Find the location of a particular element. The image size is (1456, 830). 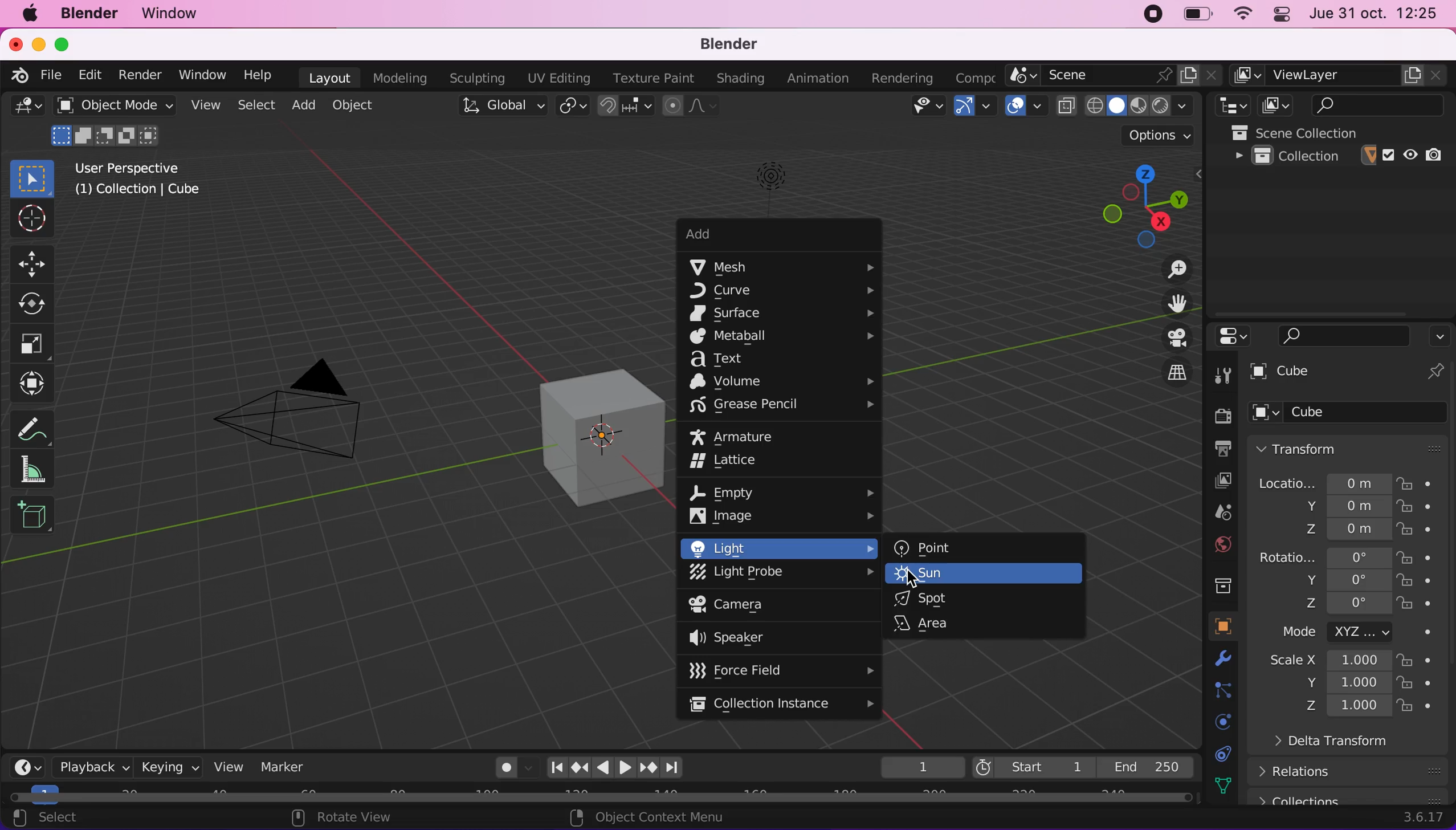

rotatio... 0 is located at coordinates (1323, 558).